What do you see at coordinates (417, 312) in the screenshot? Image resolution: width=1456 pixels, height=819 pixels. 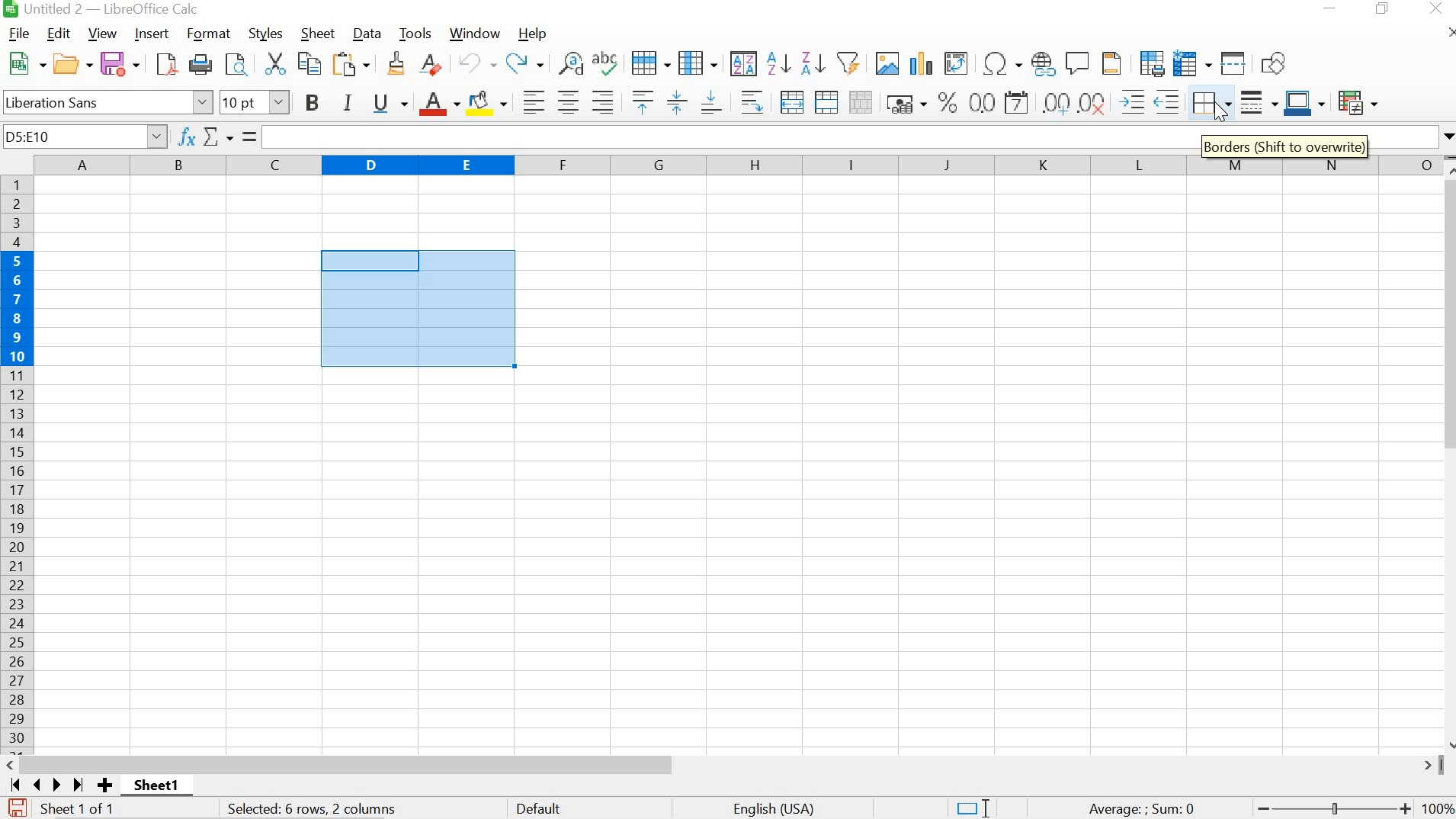 I see `selected cells` at bounding box center [417, 312].